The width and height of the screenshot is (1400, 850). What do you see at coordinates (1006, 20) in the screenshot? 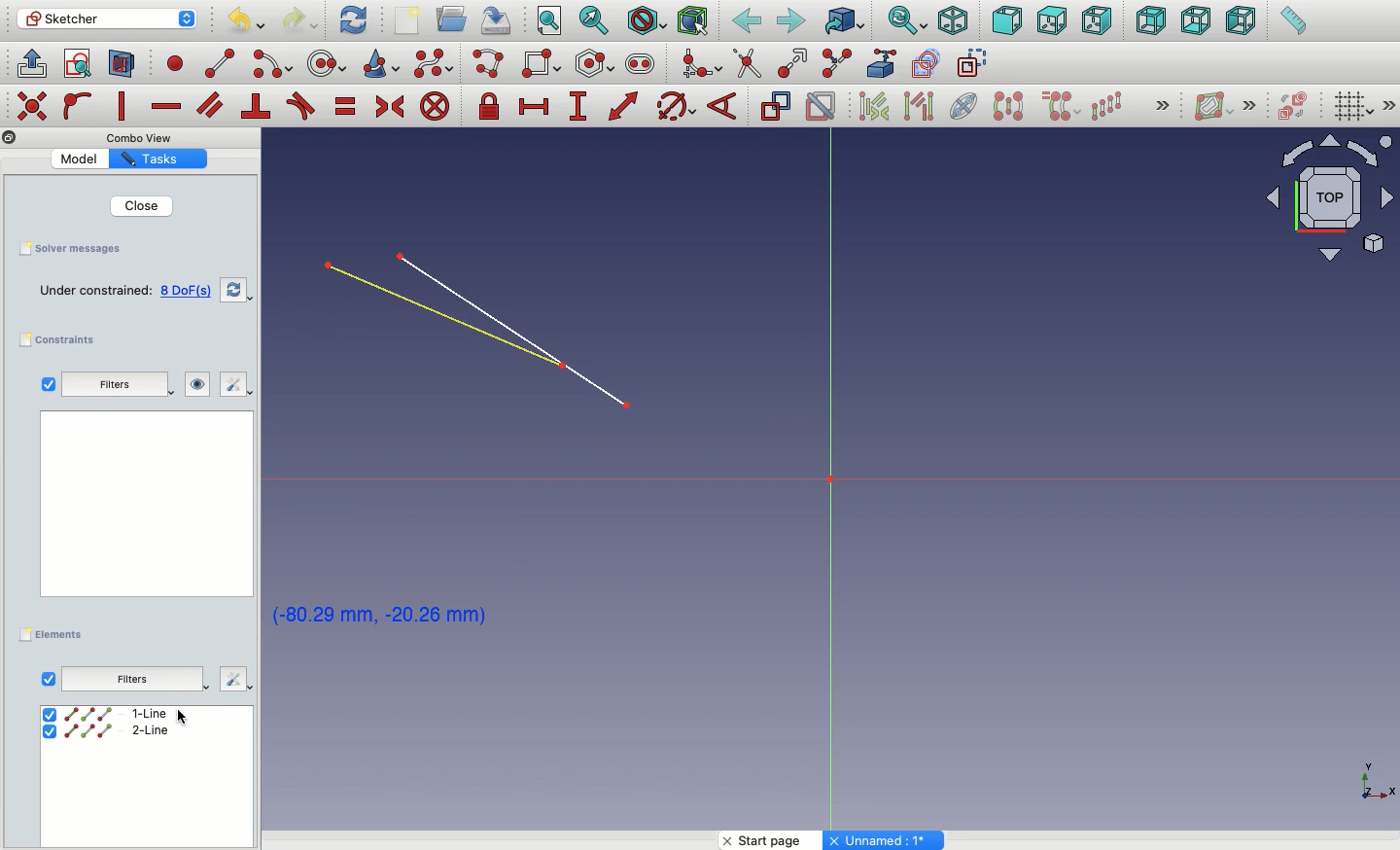
I see `Front` at bounding box center [1006, 20].